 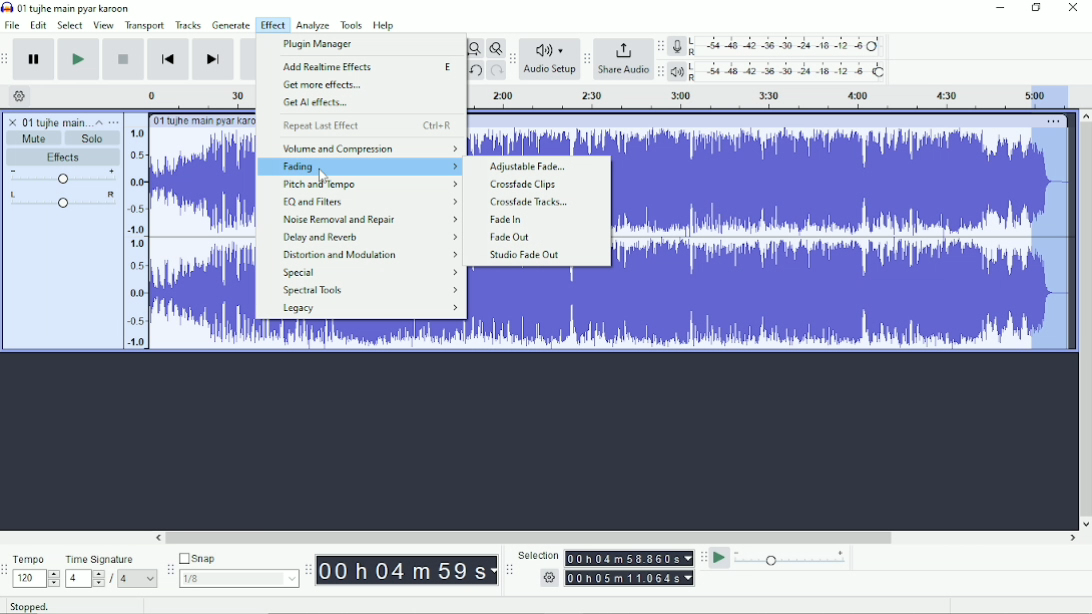 I want to click on Tools, so click(x=353, y=25).